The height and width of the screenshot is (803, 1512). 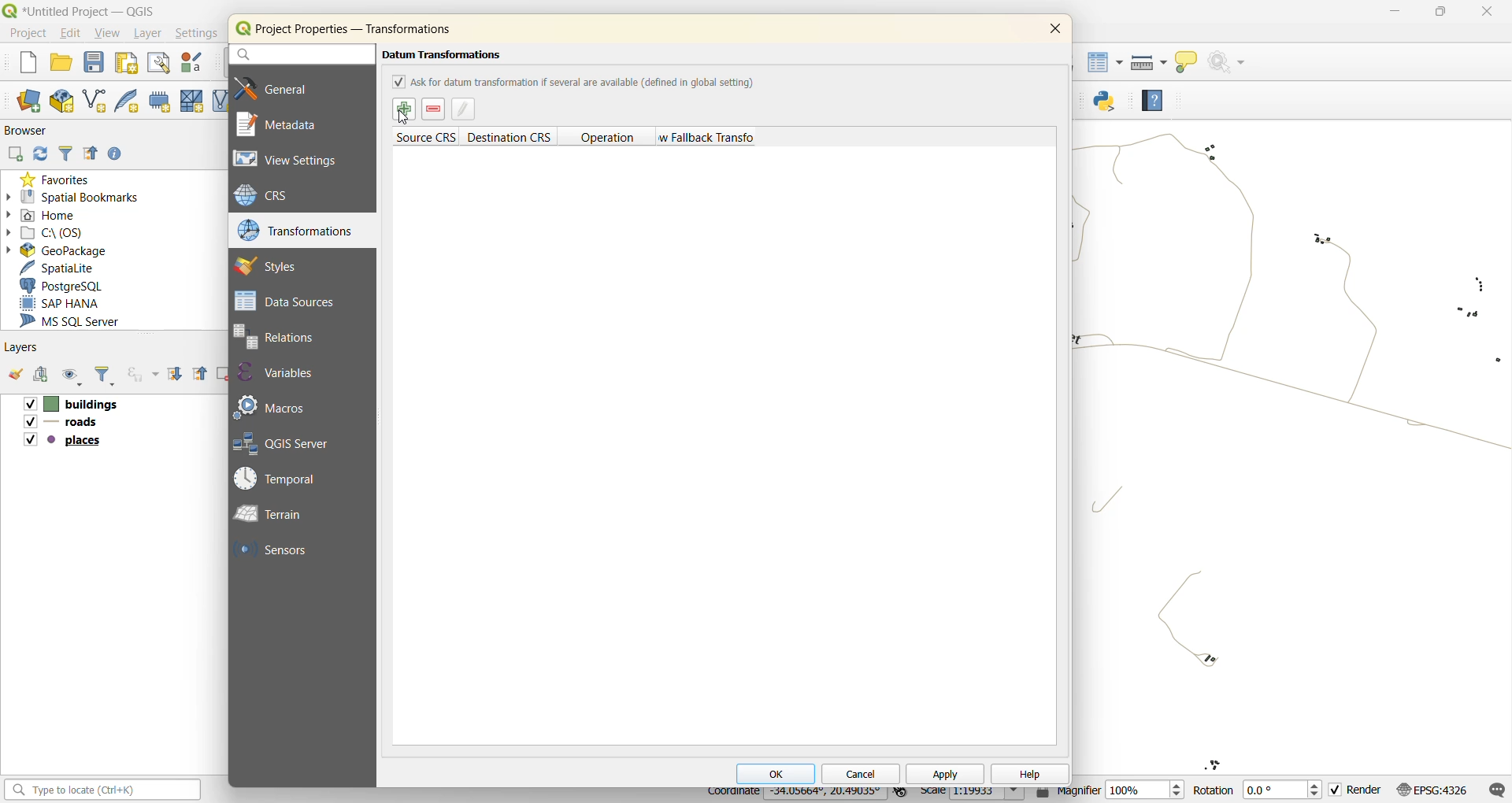 I want to click on scale, so click(x=973, y=794).